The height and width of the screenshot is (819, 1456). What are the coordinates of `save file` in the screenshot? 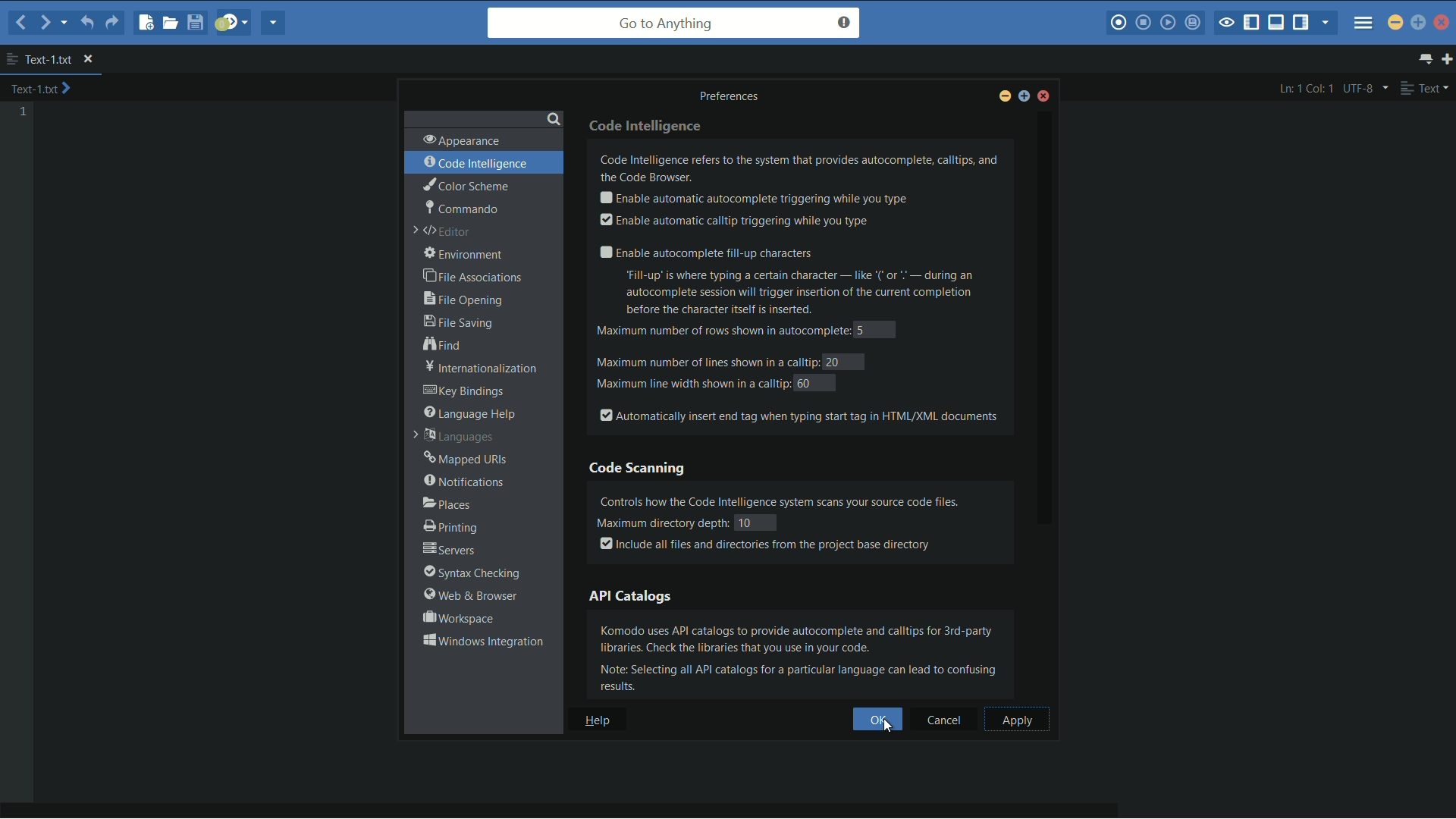 It's located at (197, 22).